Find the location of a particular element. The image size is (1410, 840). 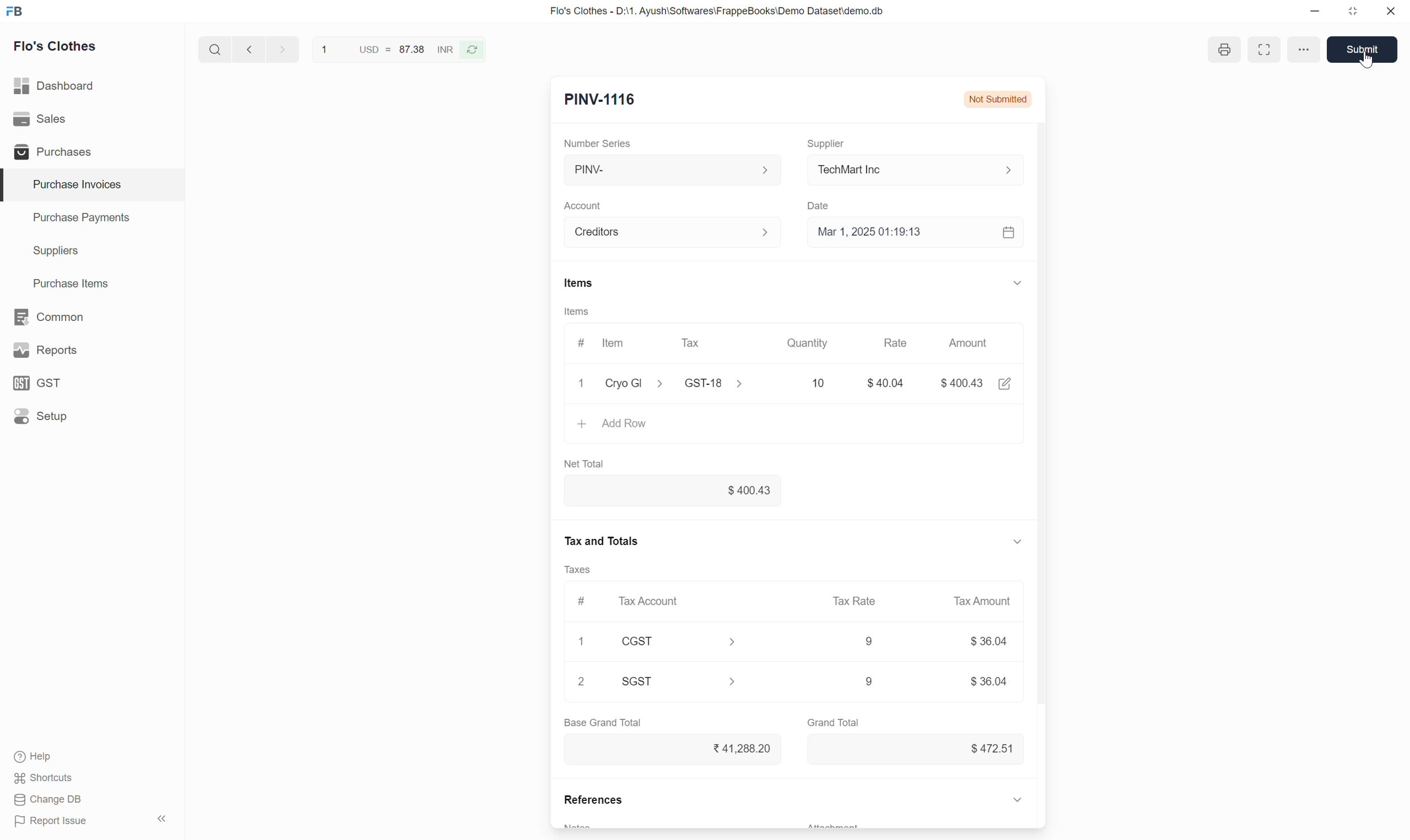

frappe books logo is located at coordinates (17, 11).